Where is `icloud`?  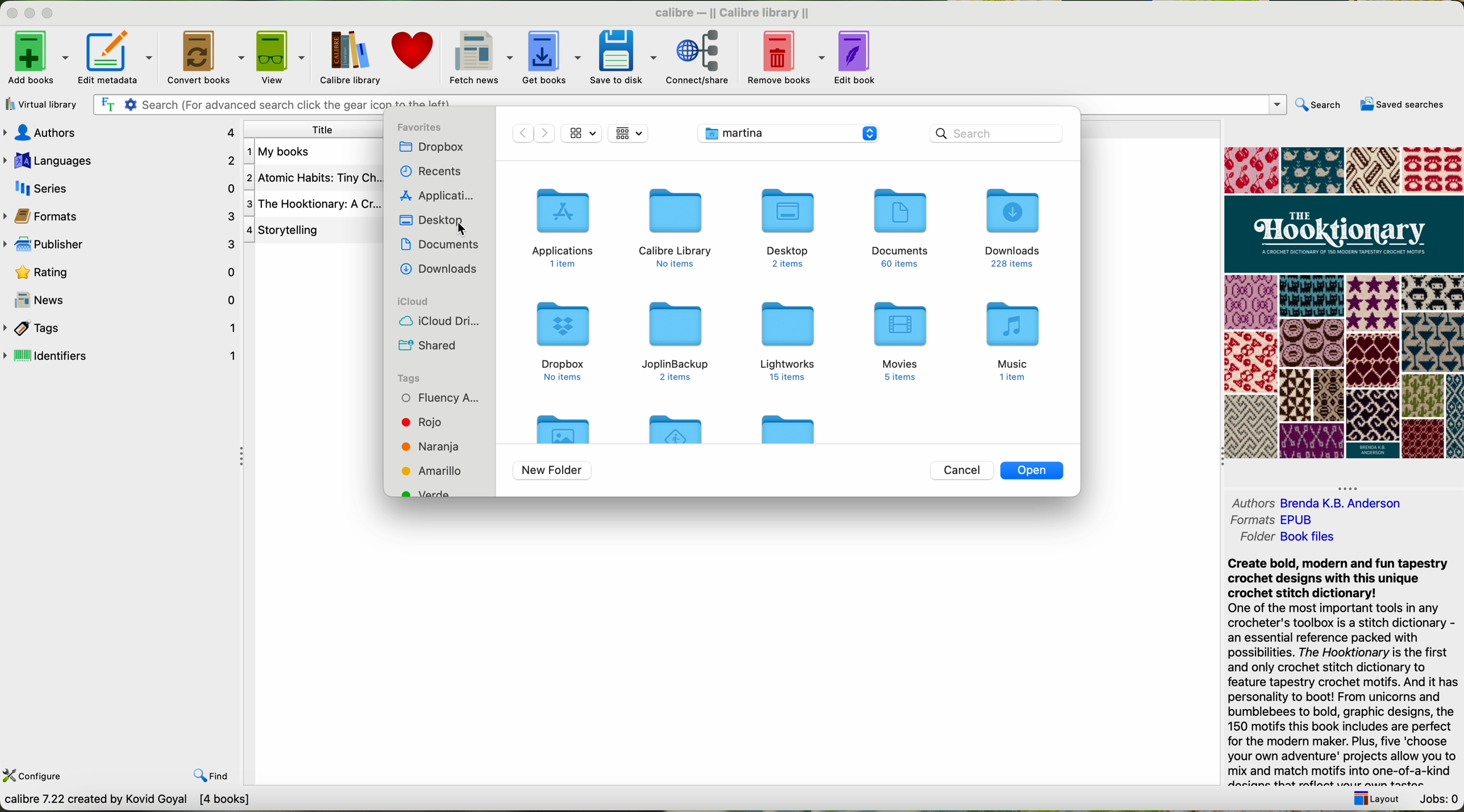
icloud is located at coordinates (411, 300).